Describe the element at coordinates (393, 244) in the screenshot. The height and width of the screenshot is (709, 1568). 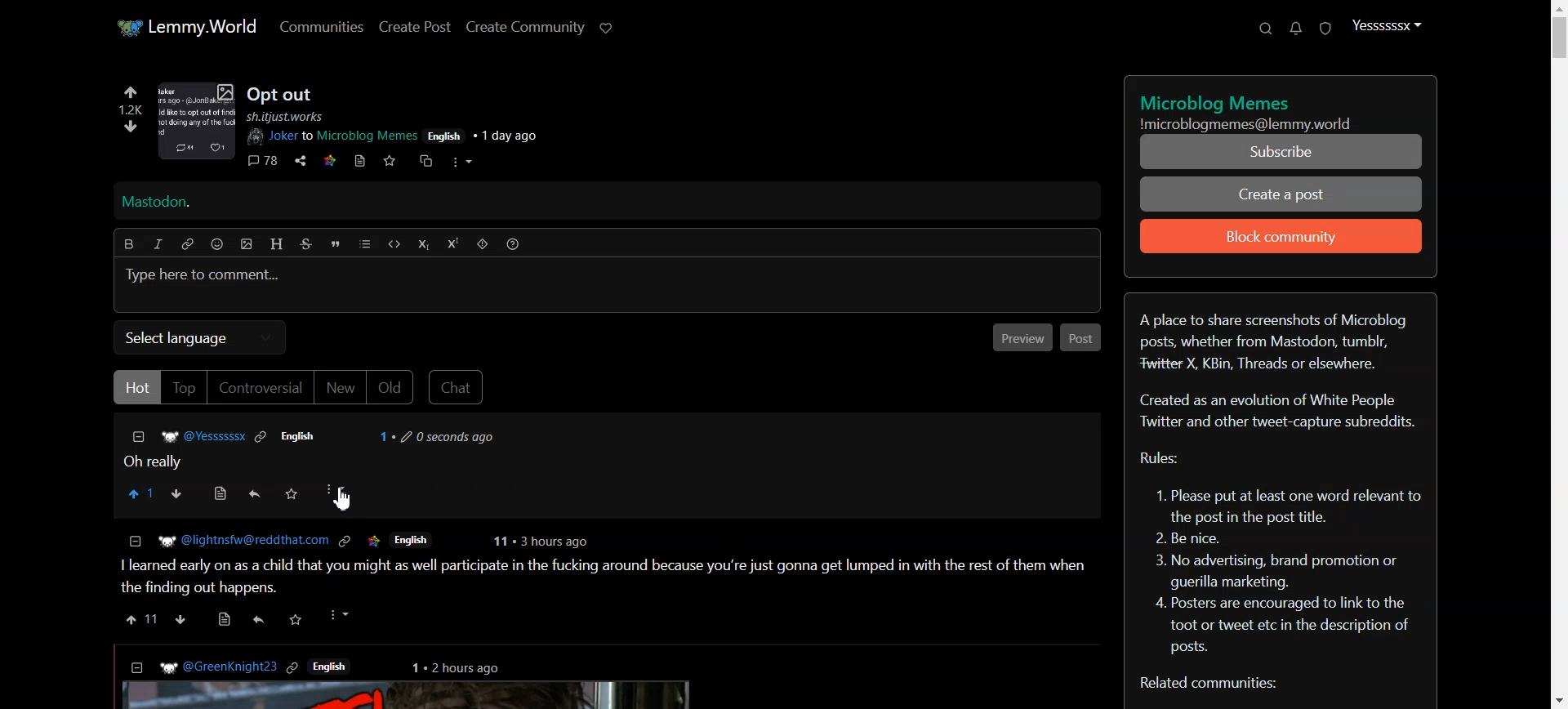
I see `Code` at that location.